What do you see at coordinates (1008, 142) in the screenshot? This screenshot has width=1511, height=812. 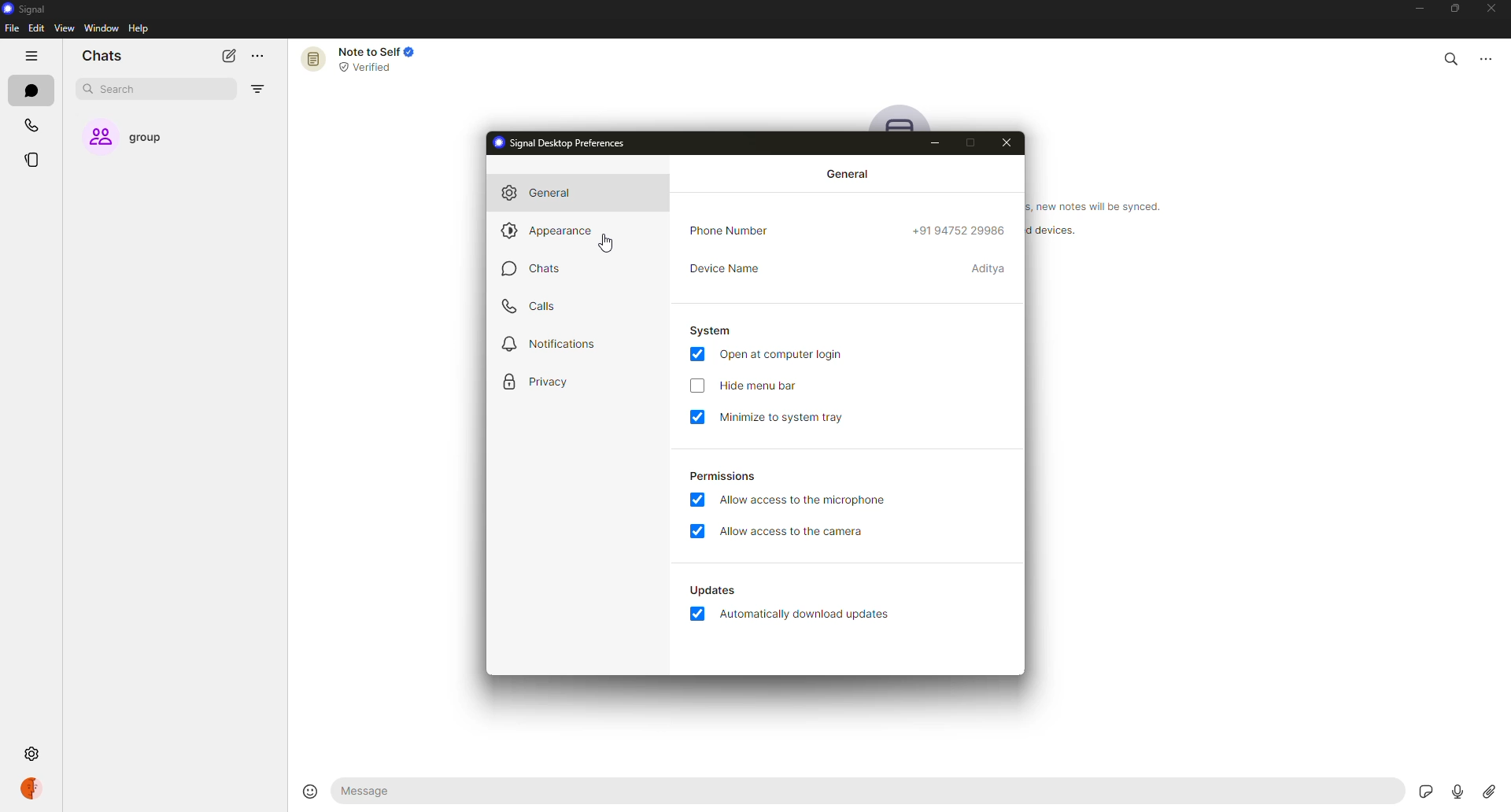 I see `close` at bounding box center [1008, 142].